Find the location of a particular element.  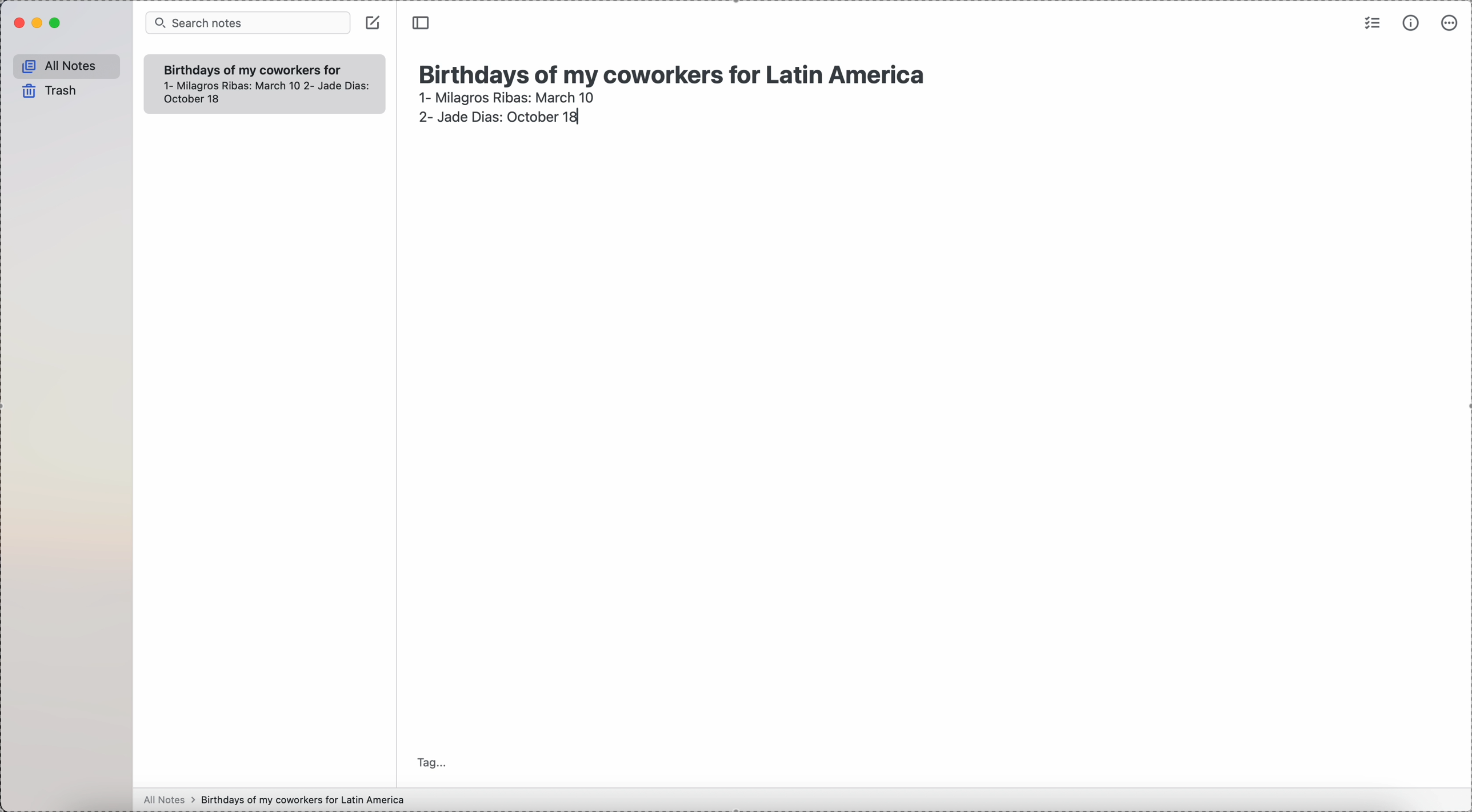

create note is located at coordinates (373, 22).